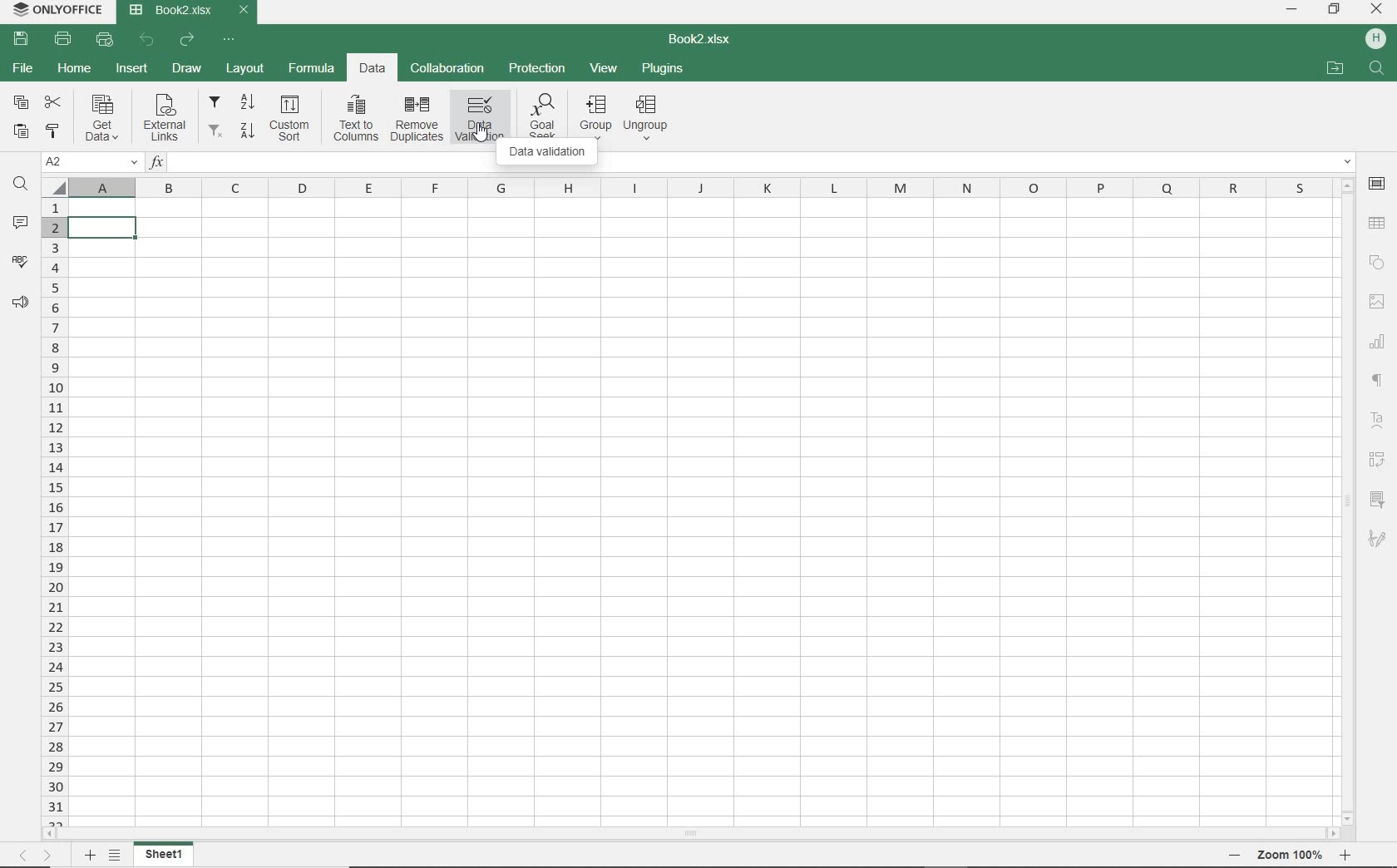 The image size is (1397, 868). I want to click on CLOSE TAB, so click(243, 11).